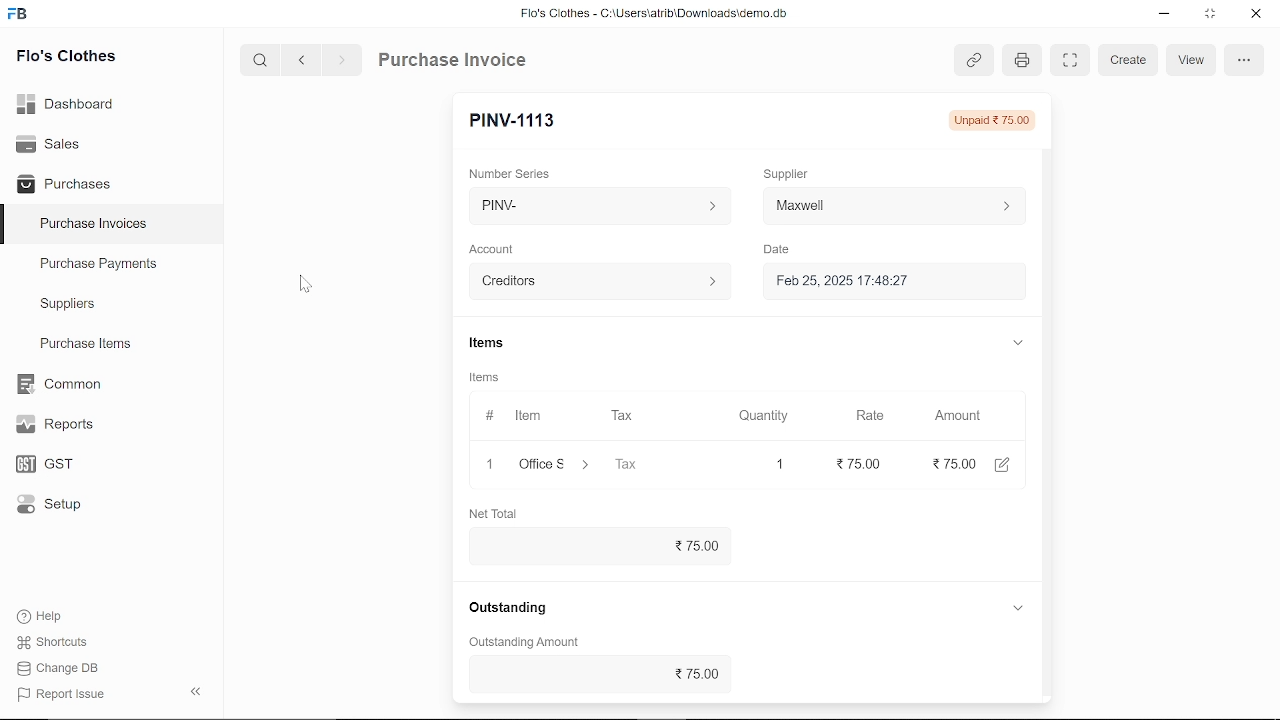 The width and height of the screenshot is (1280, 720). What do you see at coordinates (61, 384) in the screenshot?
I see `Common` at bounding box center [61, 384].